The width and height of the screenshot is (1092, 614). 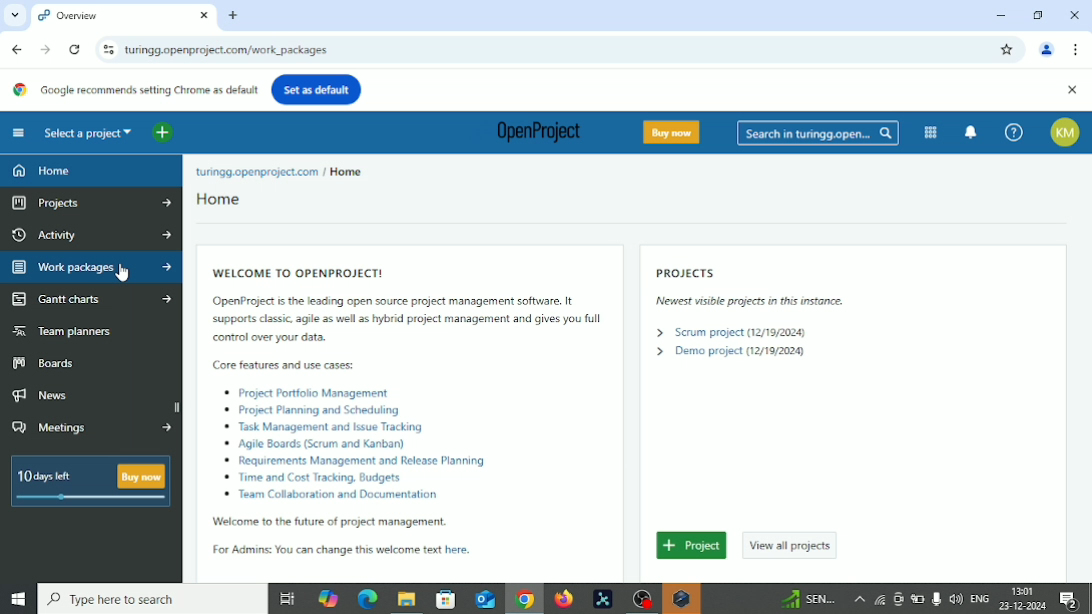 What do you see at coordinates (254, 171) in the screenshot?
I see `| tunngg.openproject.com` at bounding box center [254, 171].